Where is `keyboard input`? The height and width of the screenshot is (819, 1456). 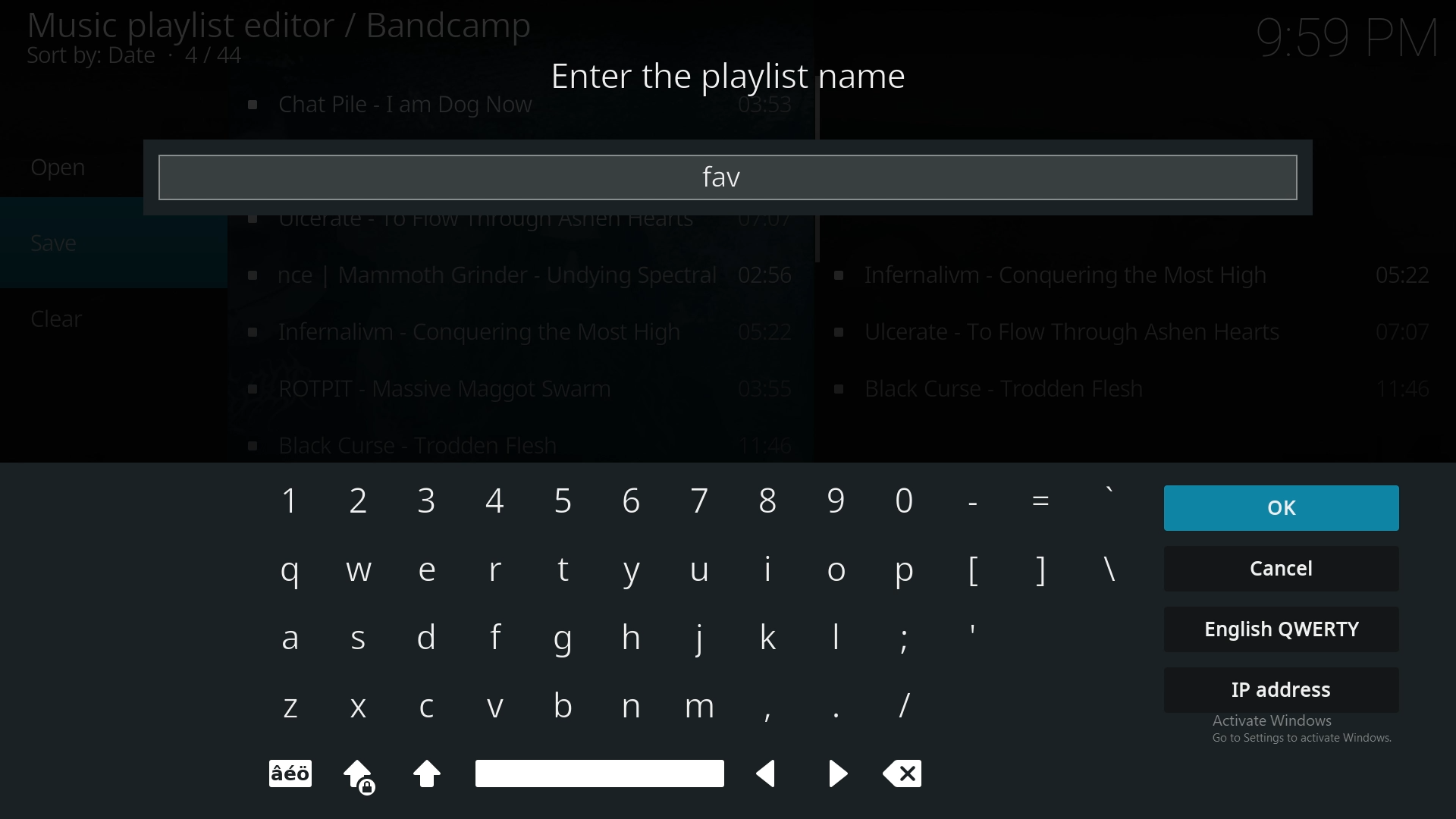 keyboard input is located at coordinates (364, 640).